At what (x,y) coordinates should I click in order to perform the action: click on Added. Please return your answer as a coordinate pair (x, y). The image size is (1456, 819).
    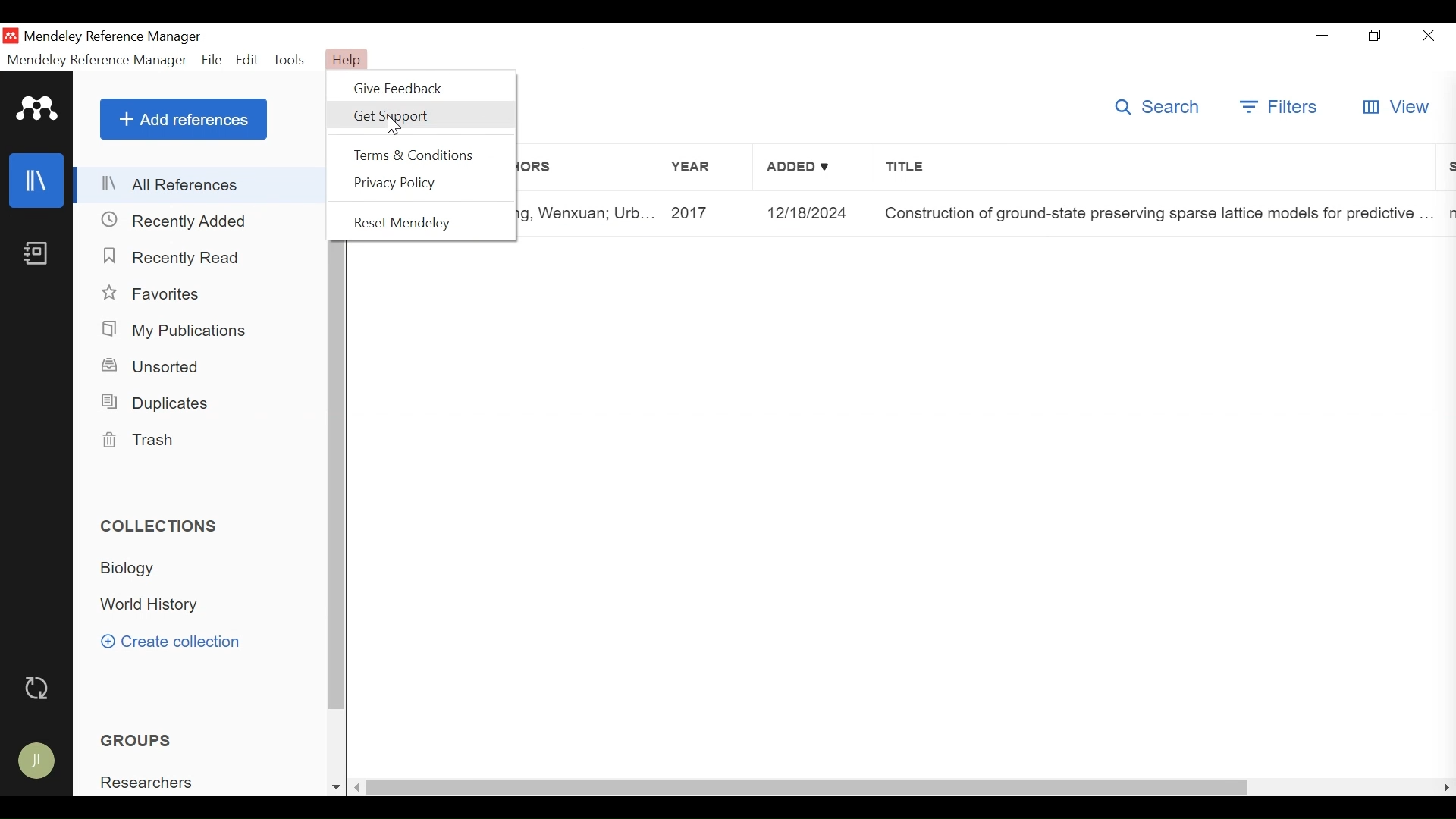
    Looking at the image, I should click on (812, 170).